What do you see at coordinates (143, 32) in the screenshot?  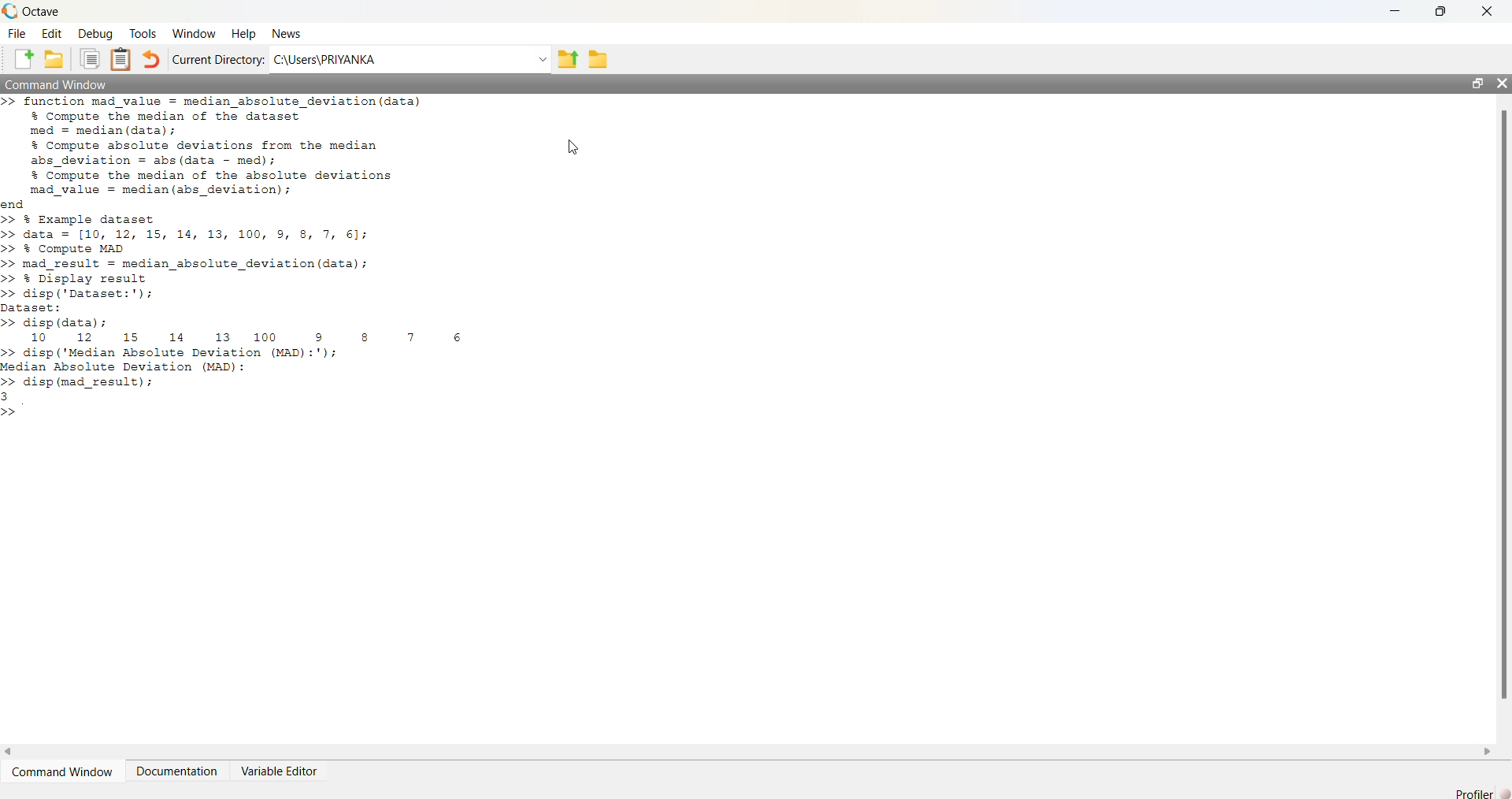 I see `Tools` at bounding box center [143, 32].